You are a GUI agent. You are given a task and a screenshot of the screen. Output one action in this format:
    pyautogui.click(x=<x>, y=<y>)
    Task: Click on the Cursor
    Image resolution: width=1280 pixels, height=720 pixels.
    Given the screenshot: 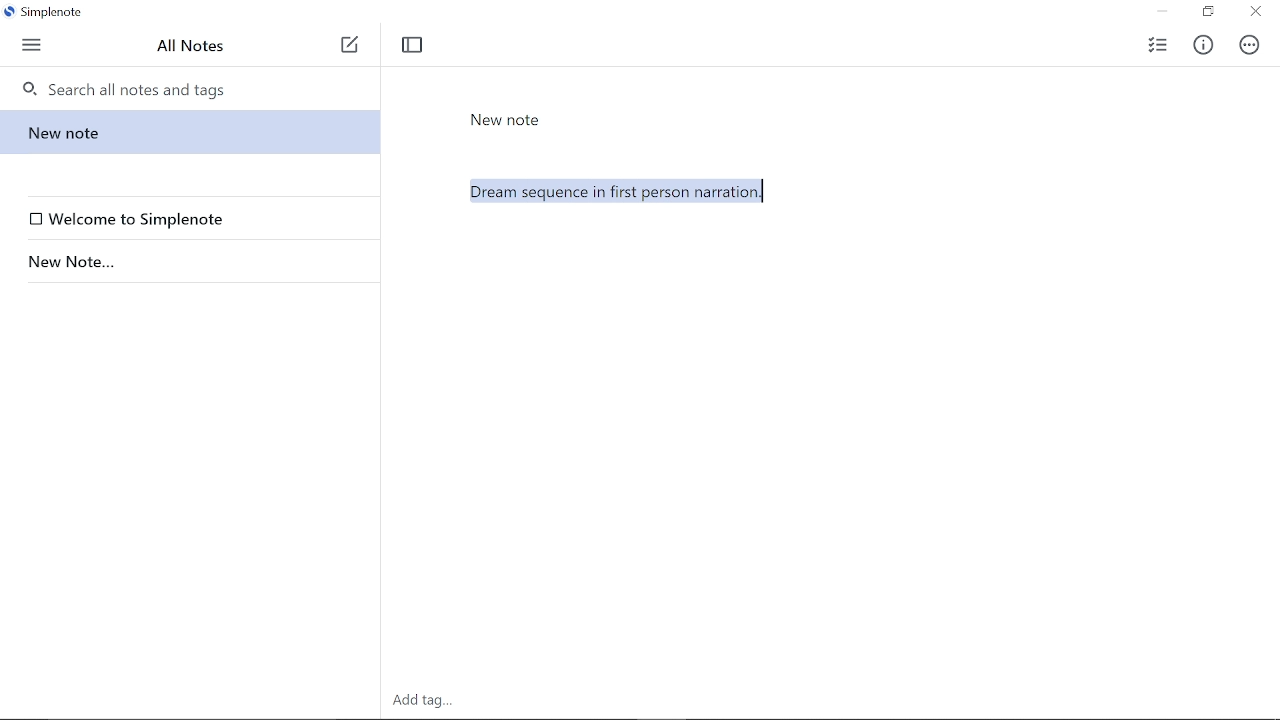 What is the action you would take?
    pyautogui.click(x=763, y=191)
    